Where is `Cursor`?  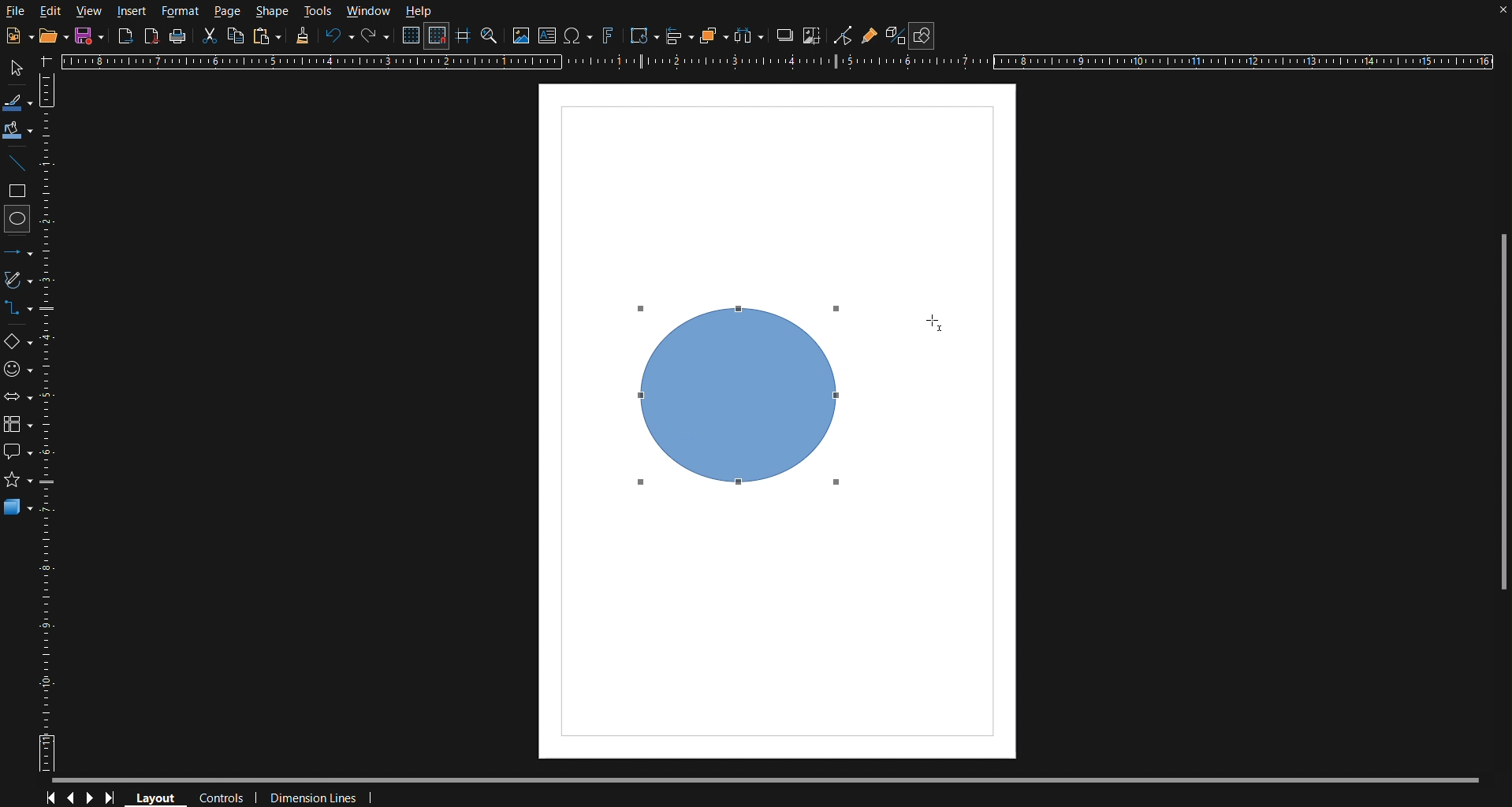
Cursor is located at coordinates (931, 321).